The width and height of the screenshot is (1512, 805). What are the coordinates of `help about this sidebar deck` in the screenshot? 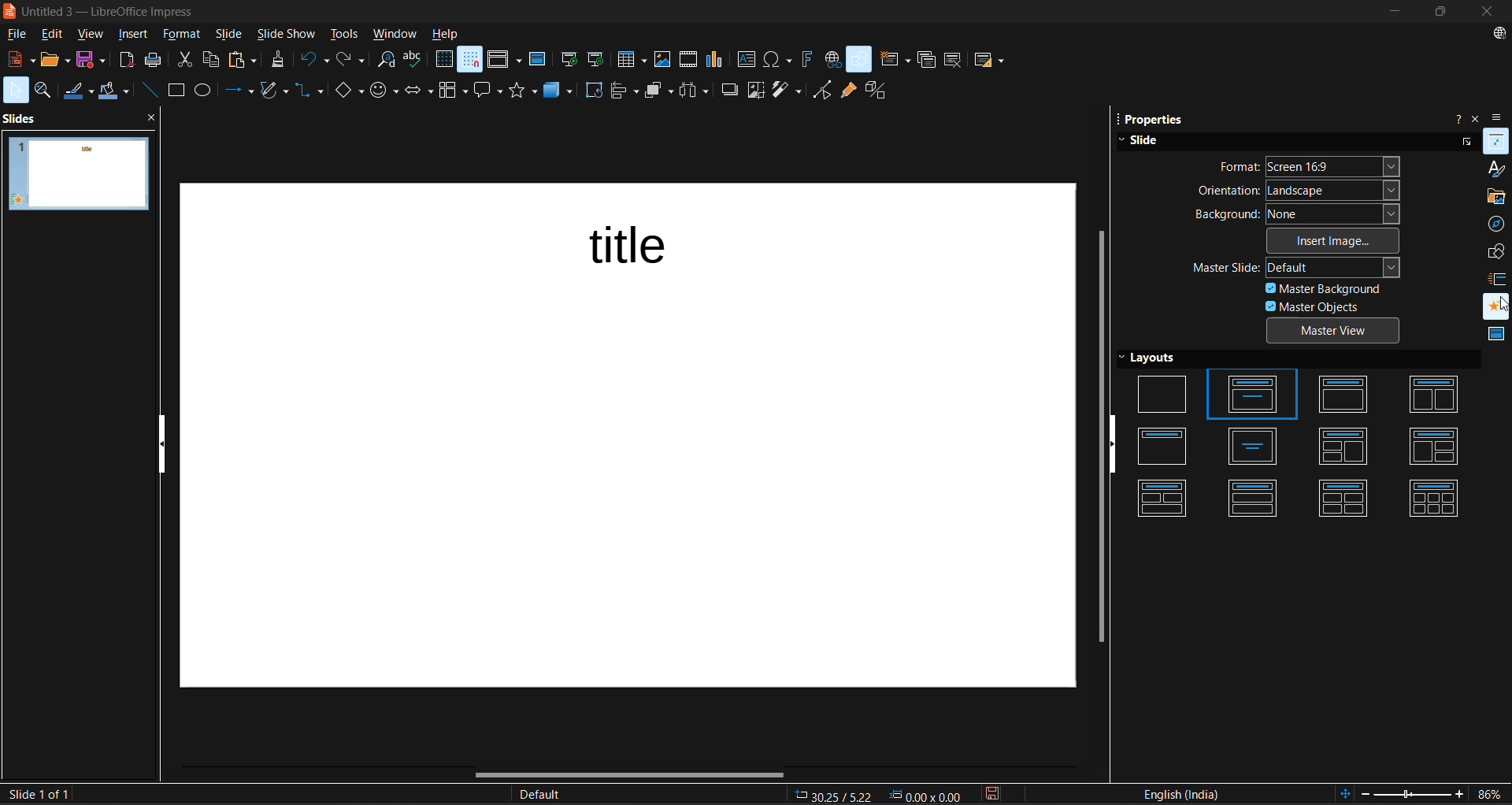 It's located at (1458, 116).